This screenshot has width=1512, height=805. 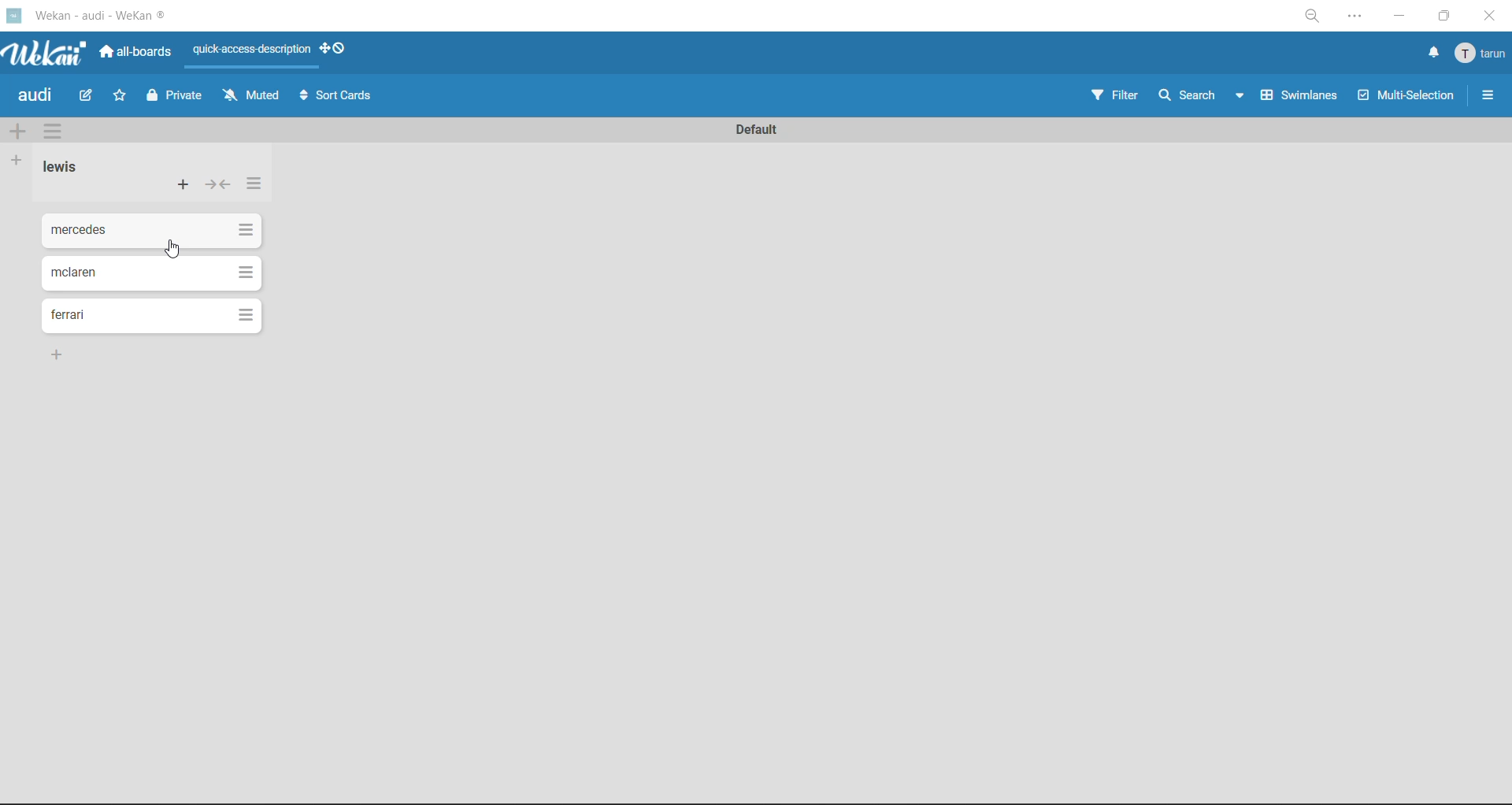 What do you see at coordinates (57, 133) in the screenshot?
I see `swimlane actions` at bounding box center [57, 133].